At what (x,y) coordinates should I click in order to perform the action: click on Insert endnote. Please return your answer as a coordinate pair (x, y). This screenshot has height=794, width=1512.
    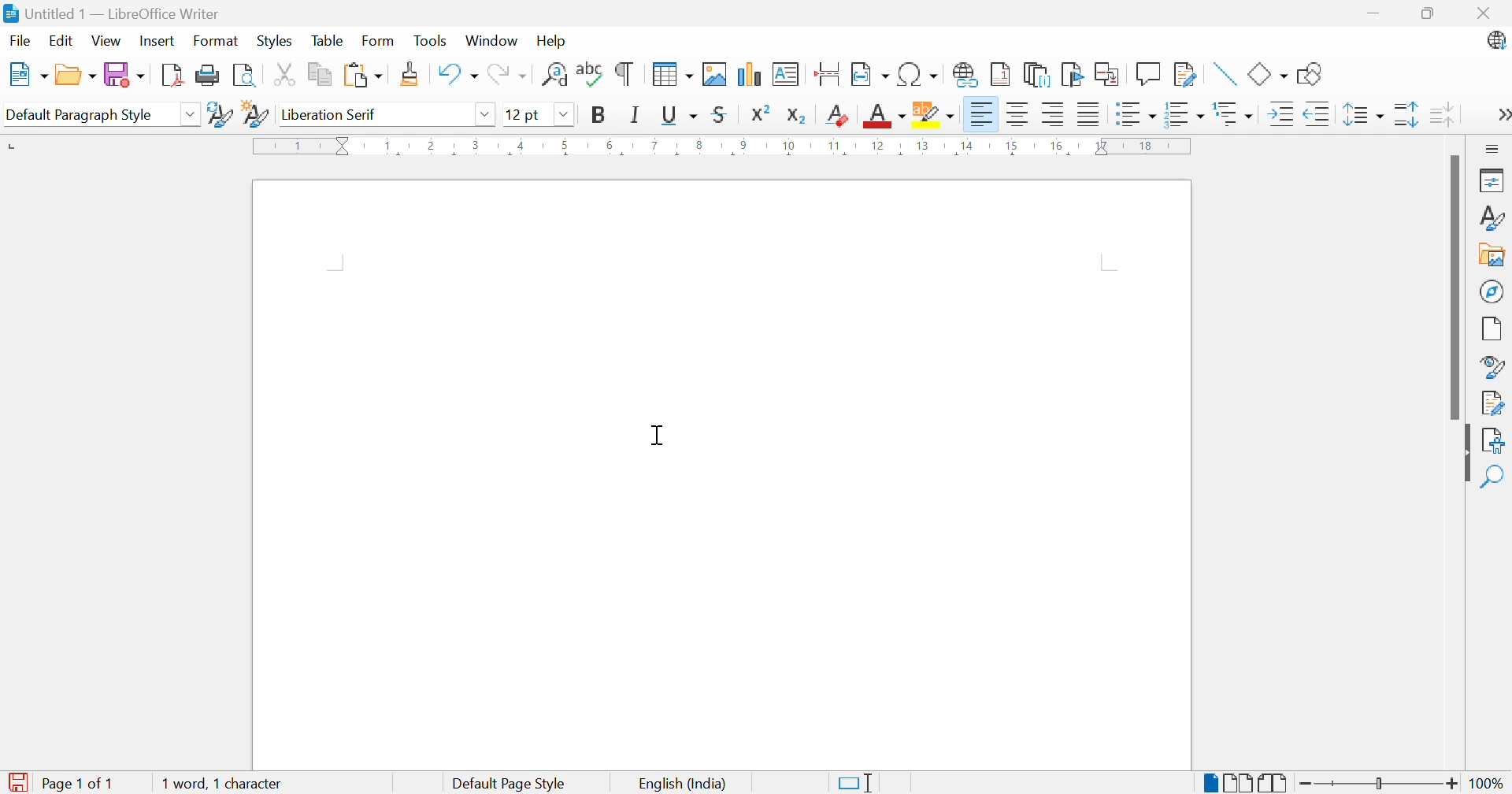
    Looking at the image, I should click on (1038, 76).